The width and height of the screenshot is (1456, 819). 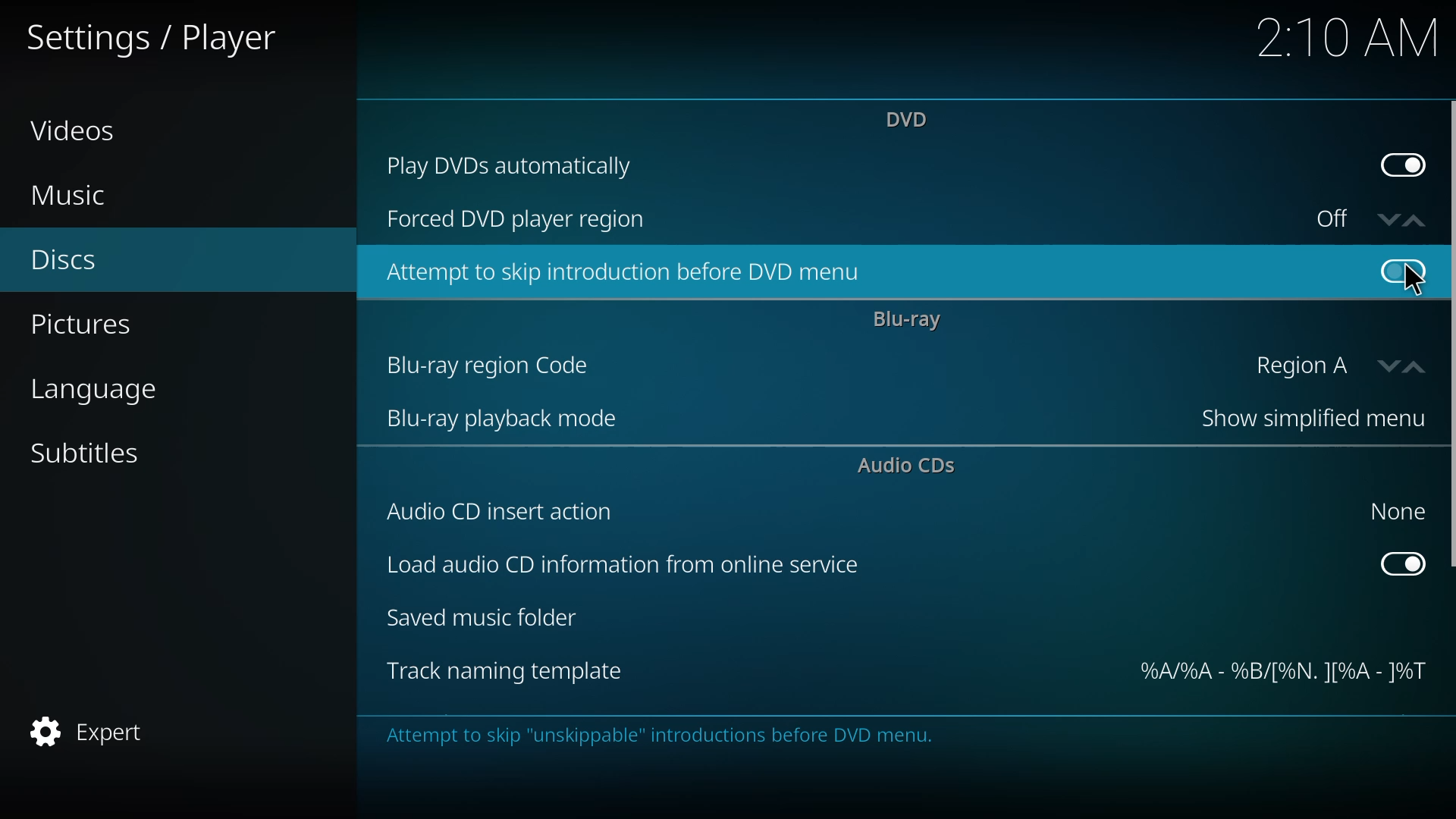 I want to click on expert, so click(x=97, y=733).